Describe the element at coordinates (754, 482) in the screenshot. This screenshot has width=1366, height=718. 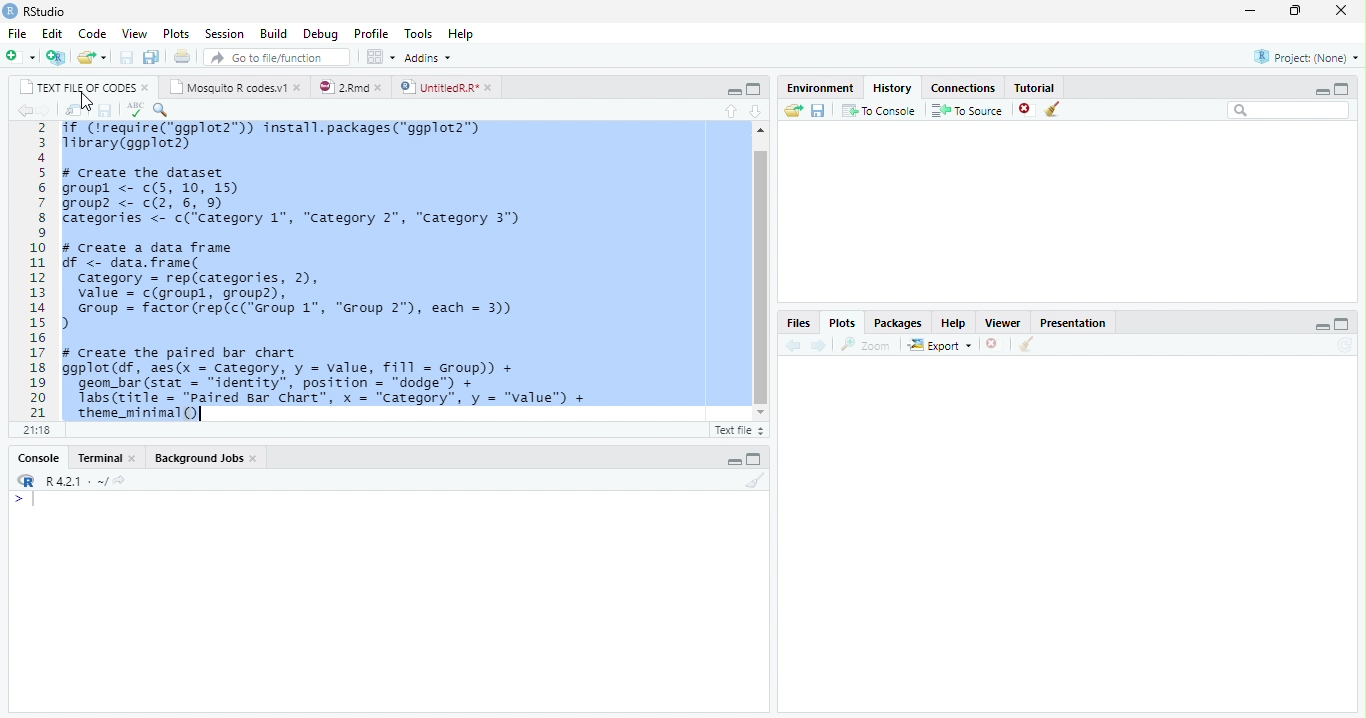
I see `clear console` at that location.